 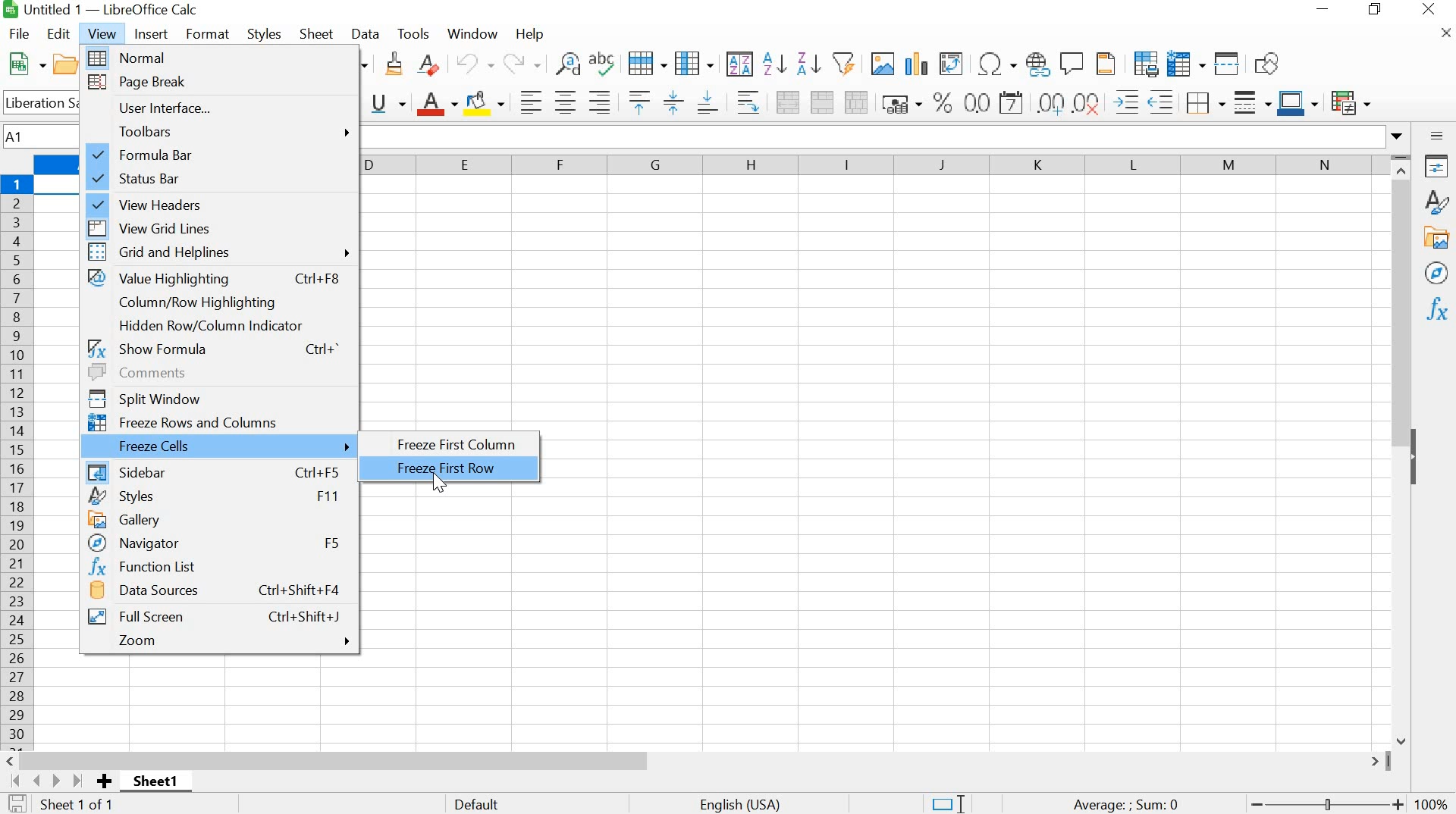 I want to click on BACKGROUND COLOR, so click(x=486, y=102).